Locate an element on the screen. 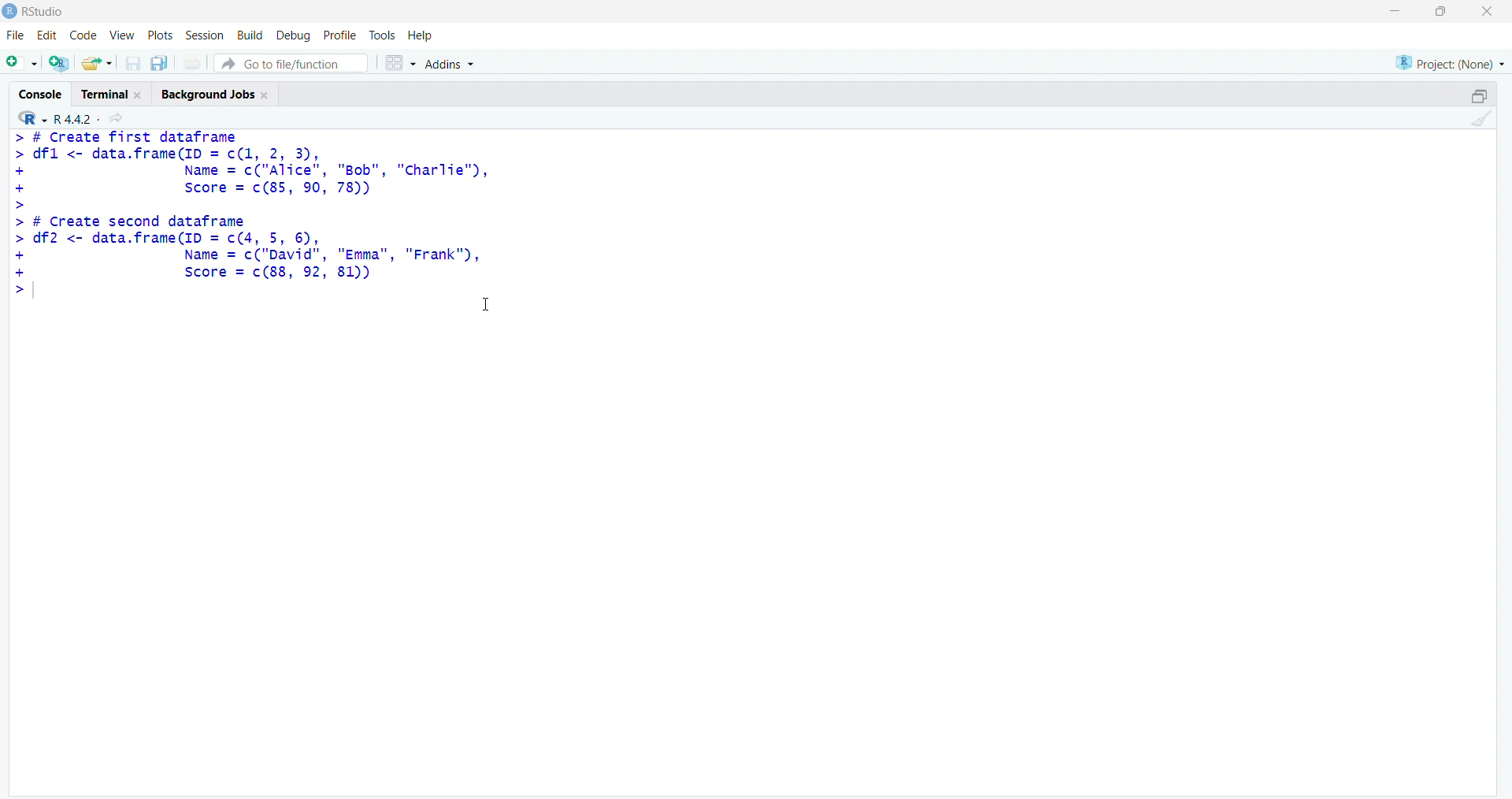  create project is located at coordinates (59, 62).